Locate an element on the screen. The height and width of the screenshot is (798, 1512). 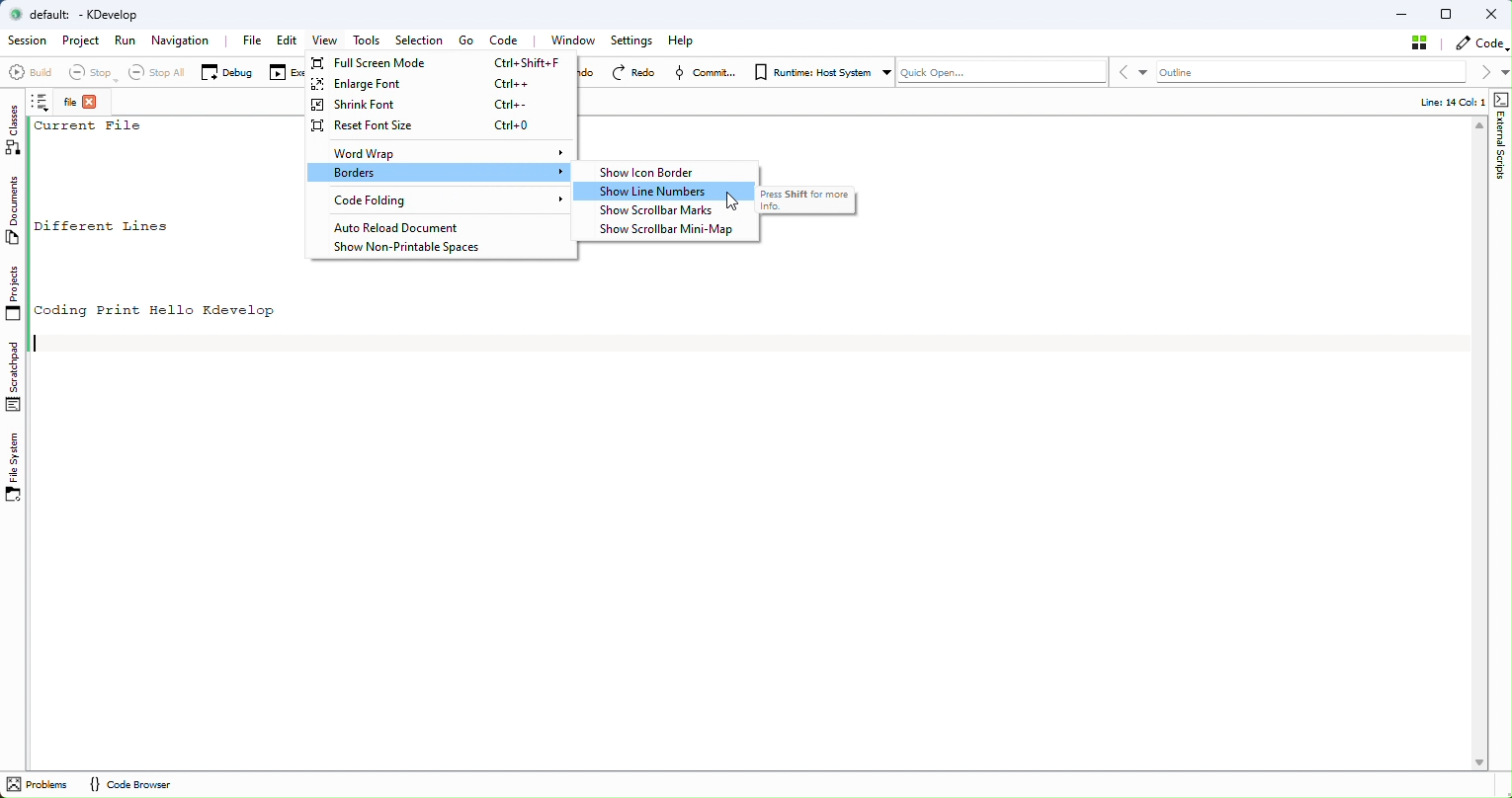
Info panel is located at coordinates (812, 202).